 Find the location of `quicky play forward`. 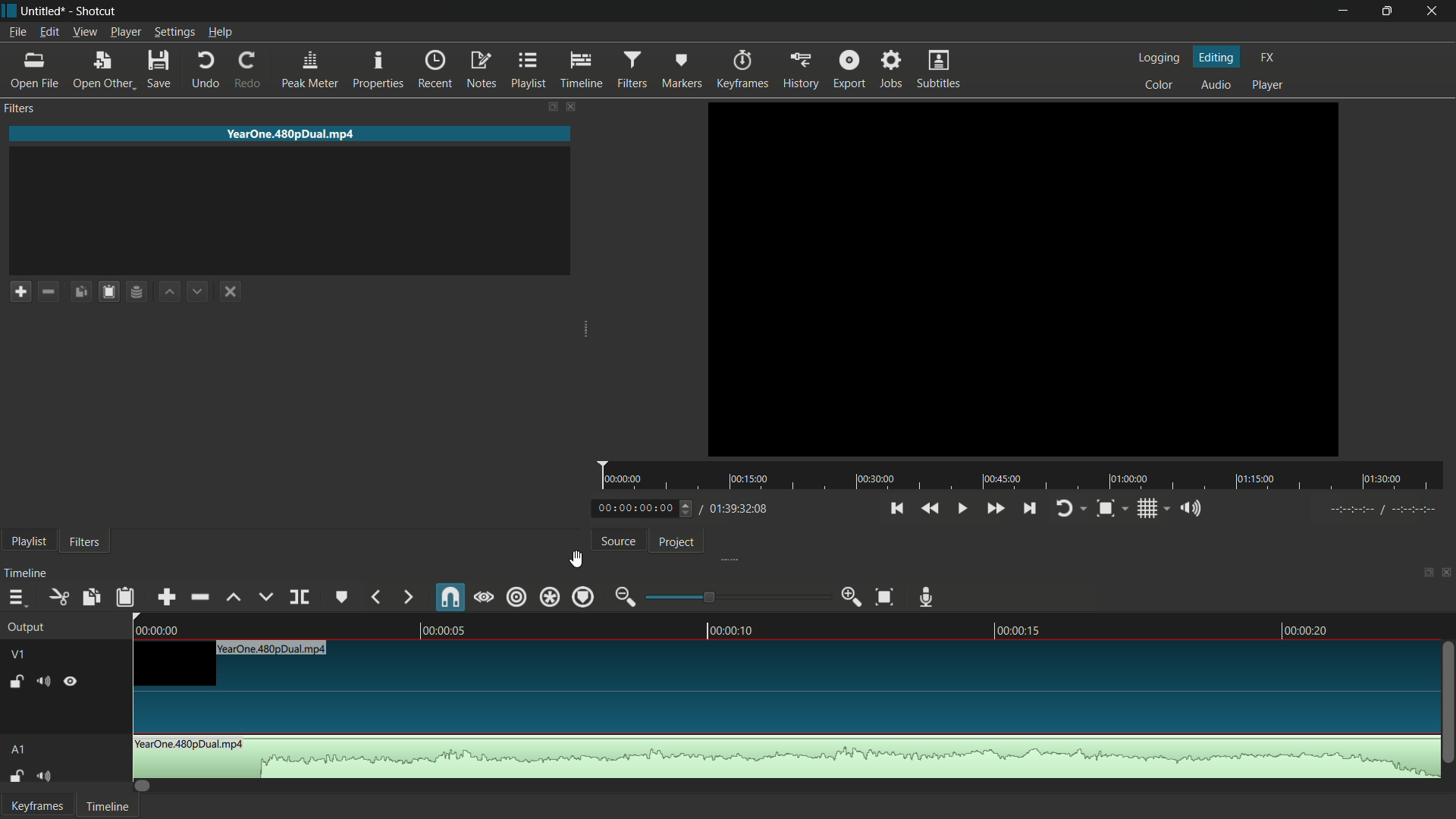

quicky play forward is located at coordinates (994, 509).